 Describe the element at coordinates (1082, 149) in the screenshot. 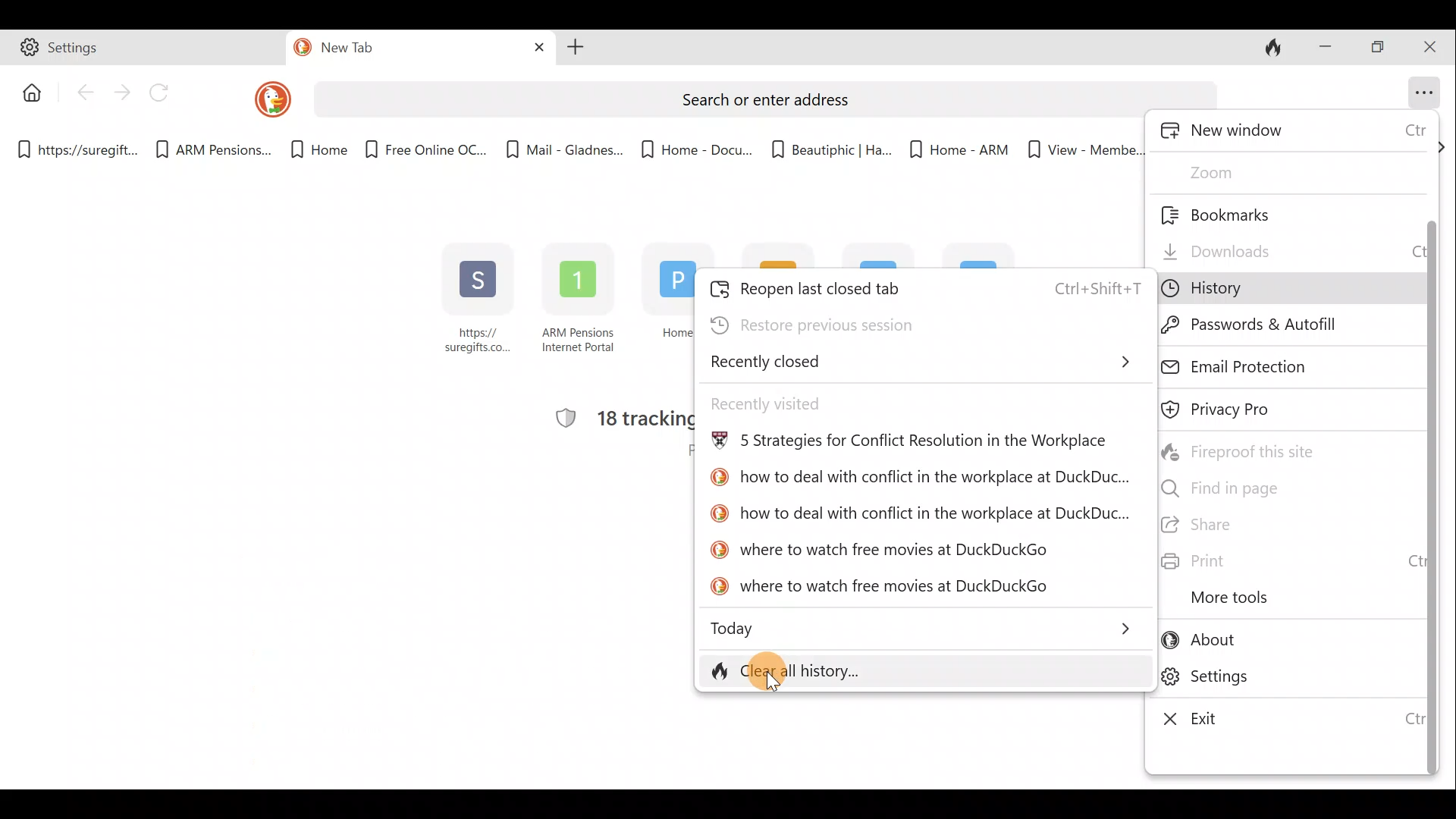

I see `View - Membe...` at that location.